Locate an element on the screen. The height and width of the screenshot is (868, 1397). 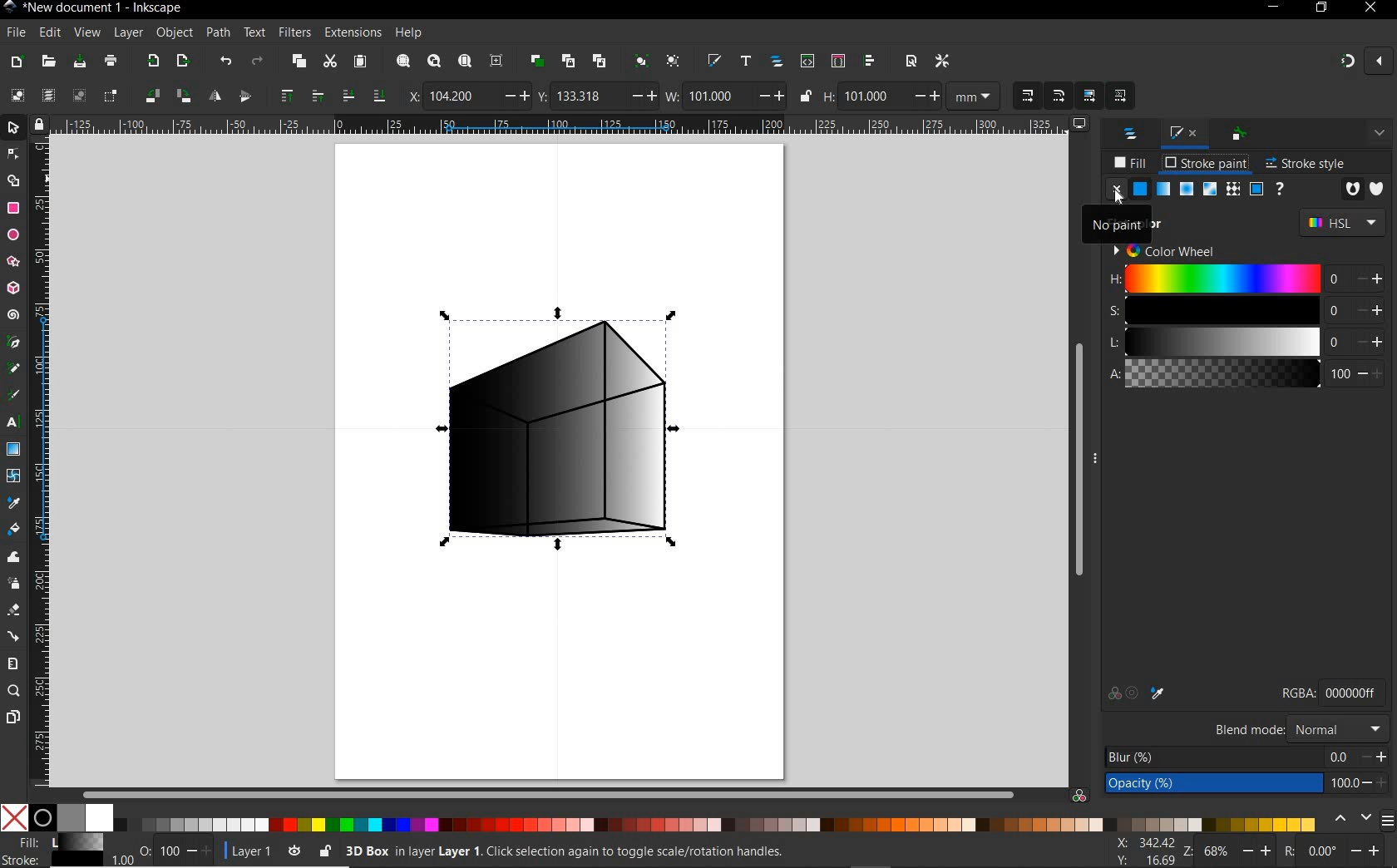
 is located at coordinates (1343, 757).